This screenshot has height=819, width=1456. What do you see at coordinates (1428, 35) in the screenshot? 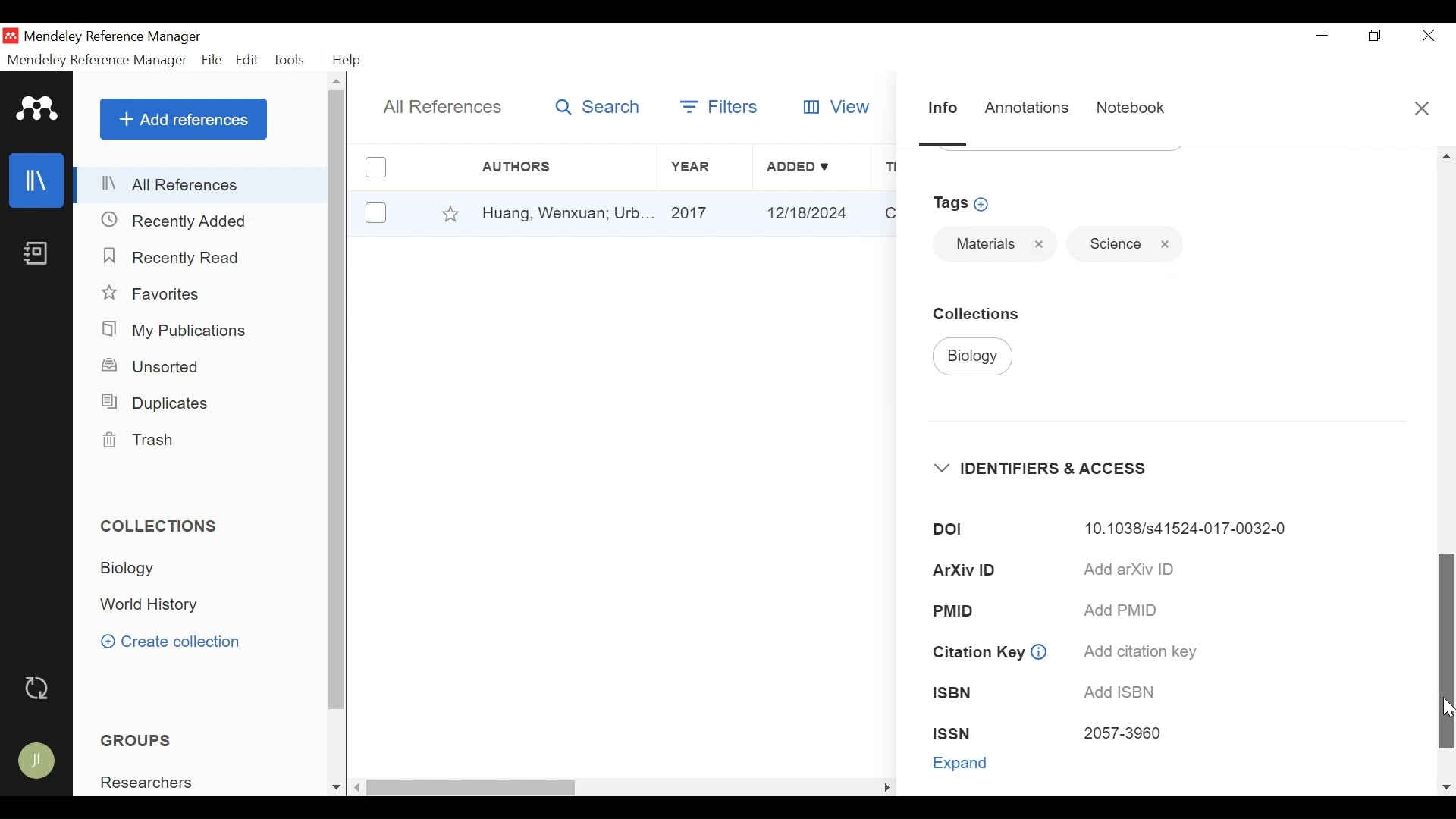
I see `Close` at bounding box center [1428, 35].